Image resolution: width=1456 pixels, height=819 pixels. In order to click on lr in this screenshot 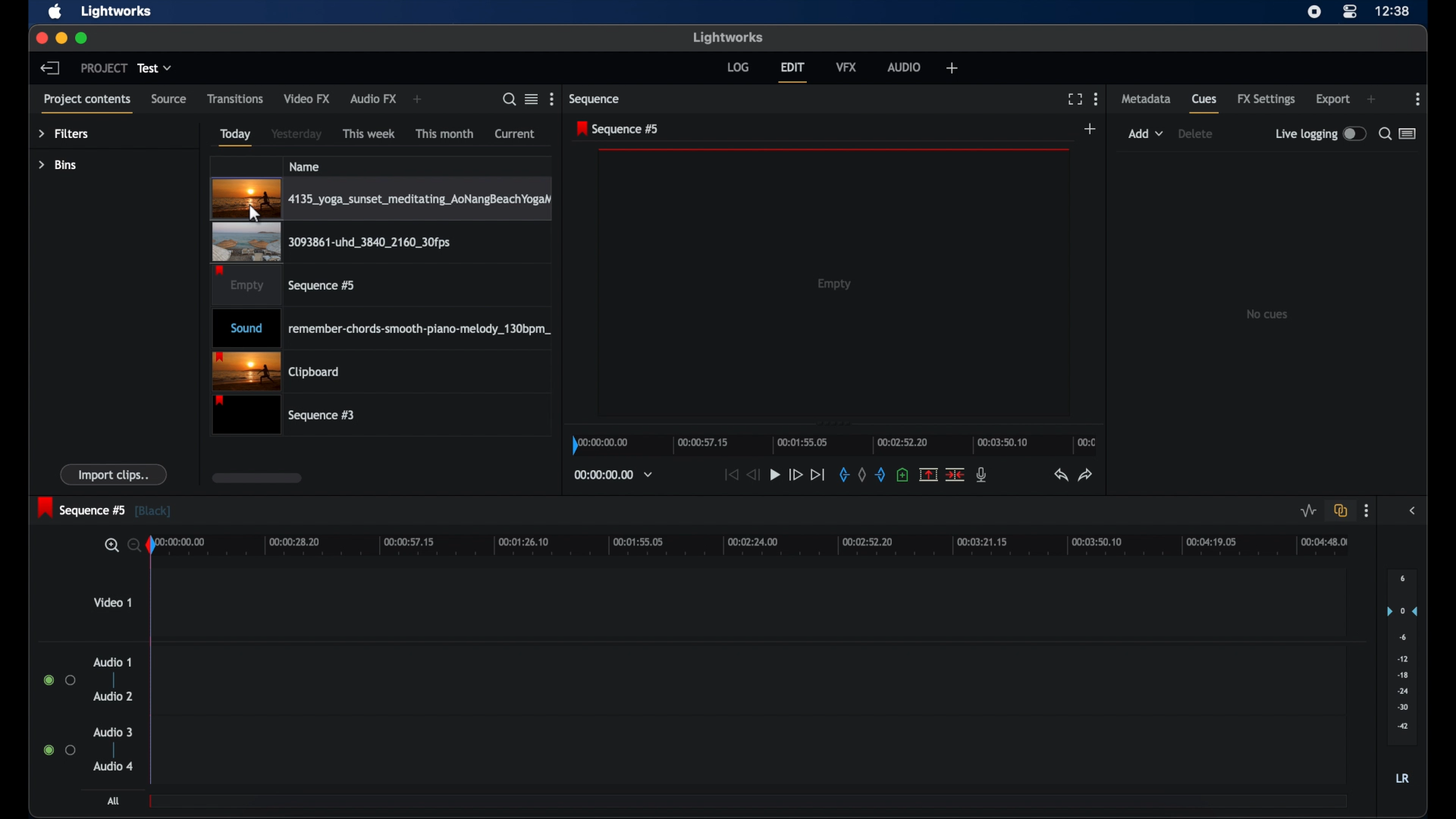, I will do `click(1403, 778)`.